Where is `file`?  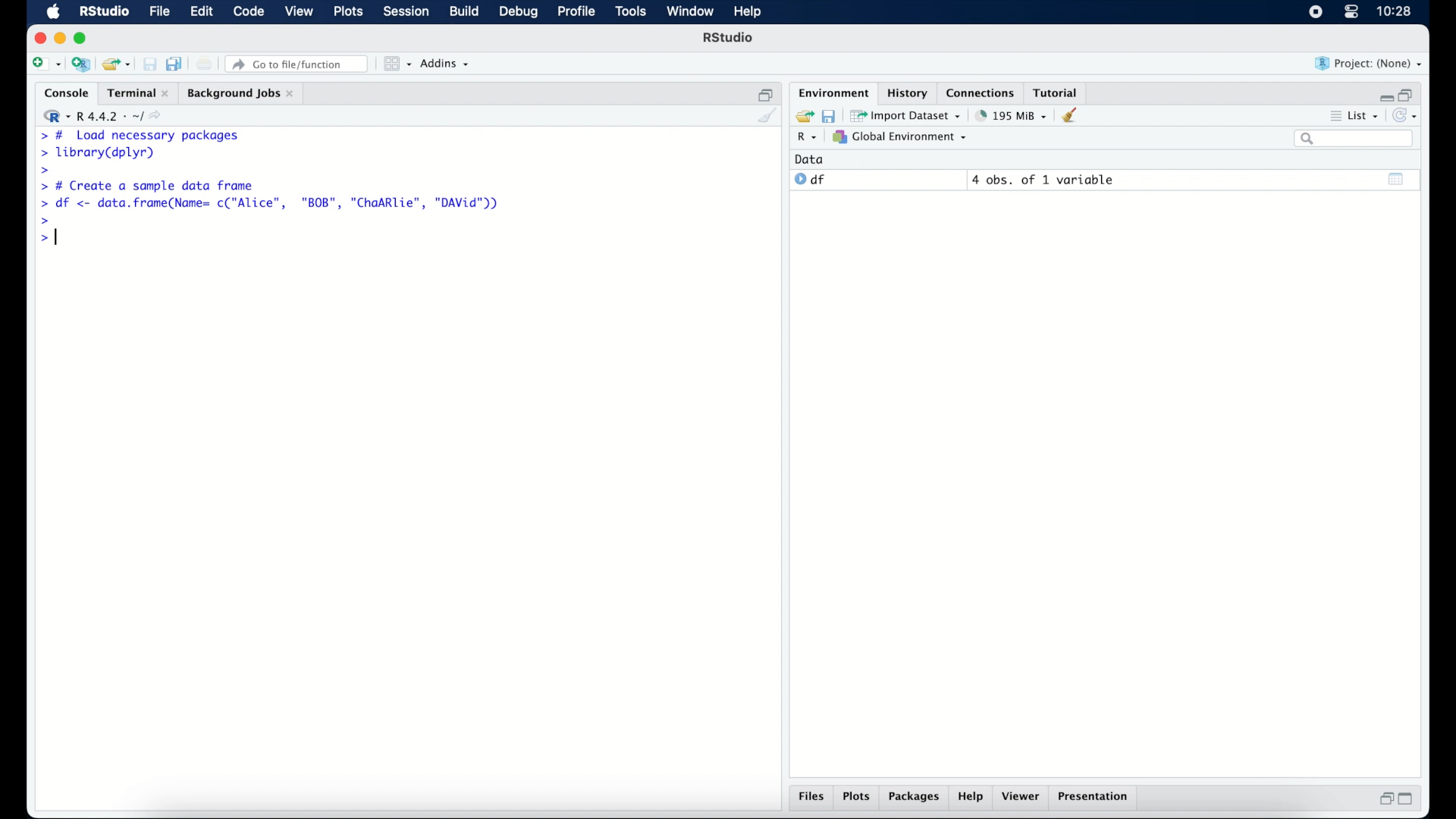 file is located at coordinates (158, 12).